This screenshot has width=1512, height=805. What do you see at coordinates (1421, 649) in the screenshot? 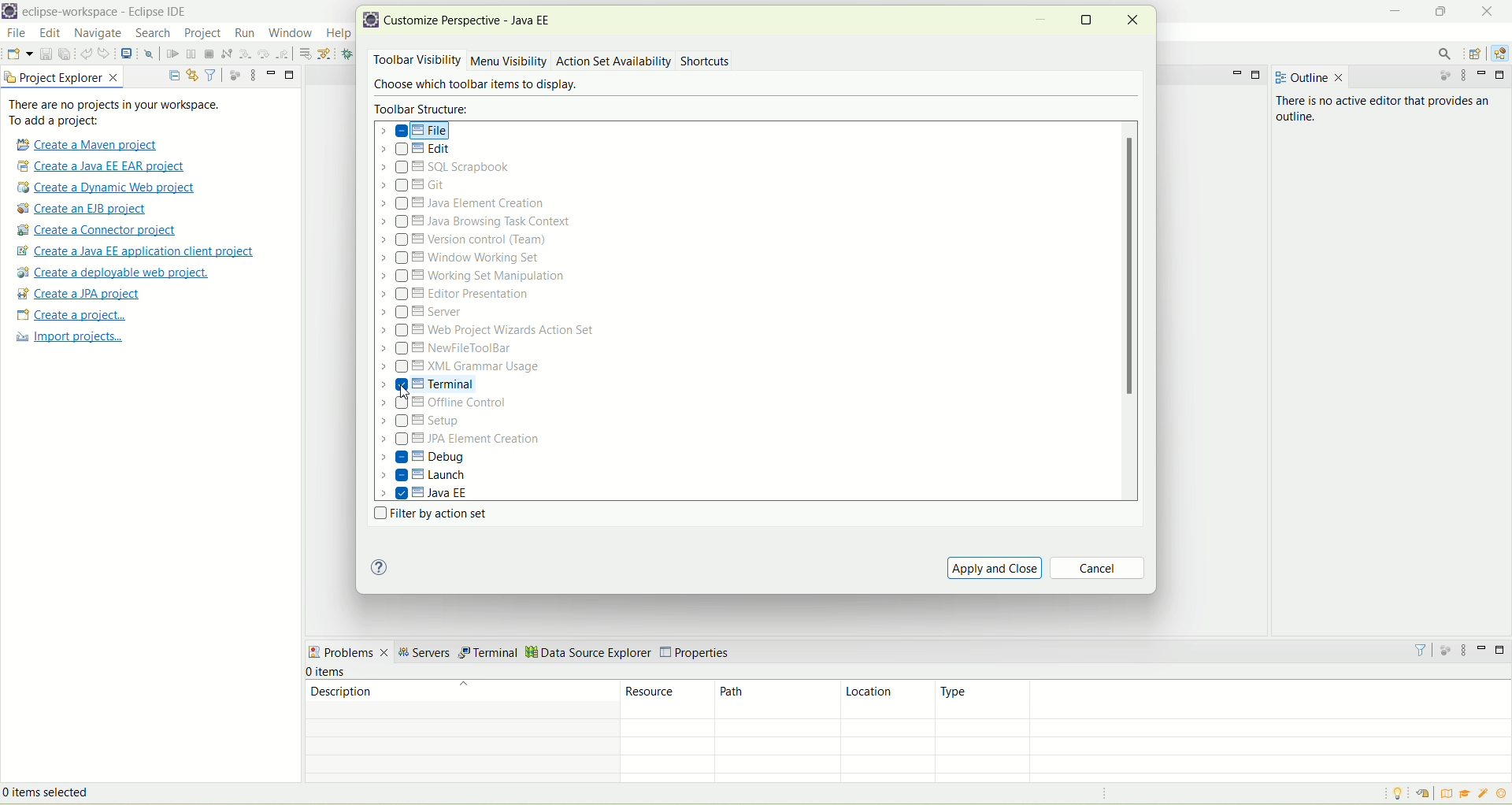
I see `filter` at bounding box center [1421, 649].